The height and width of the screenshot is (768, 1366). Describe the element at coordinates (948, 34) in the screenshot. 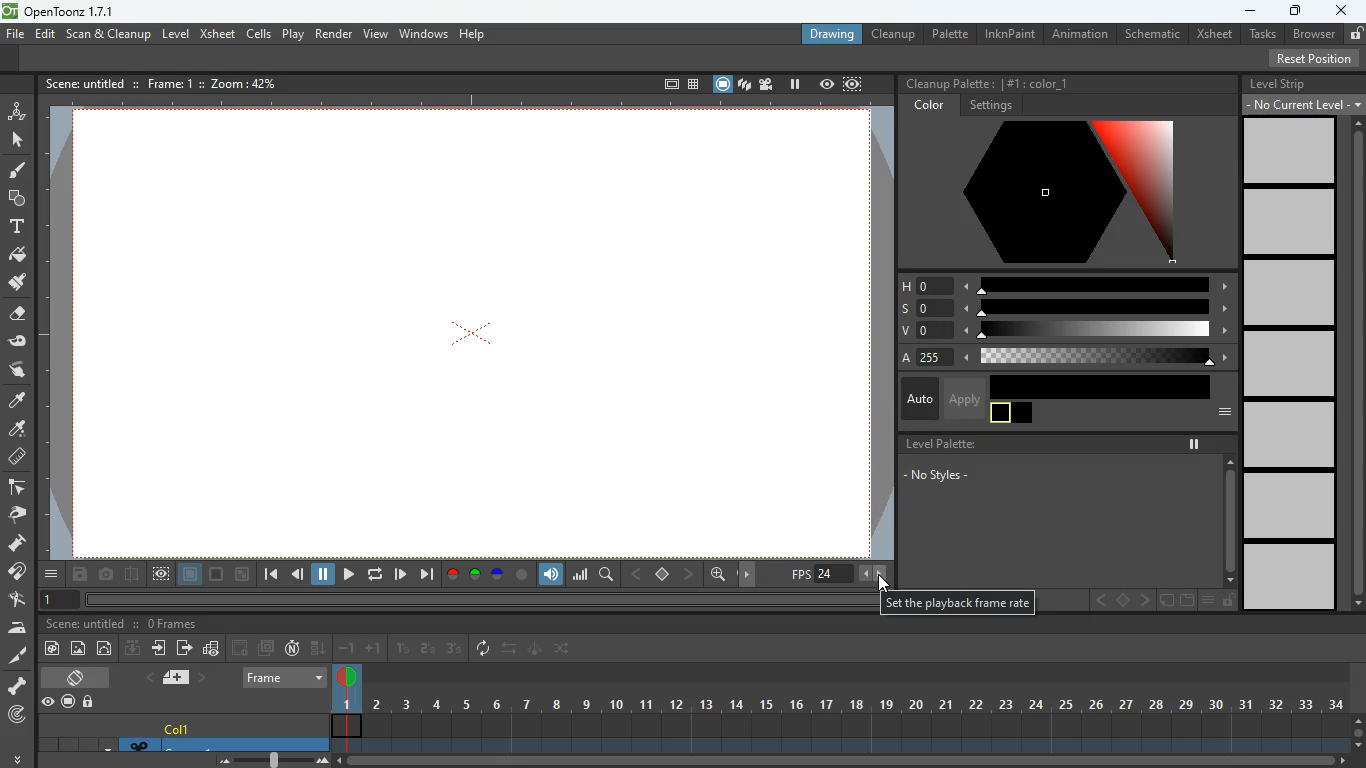

I see `palette` at that location.